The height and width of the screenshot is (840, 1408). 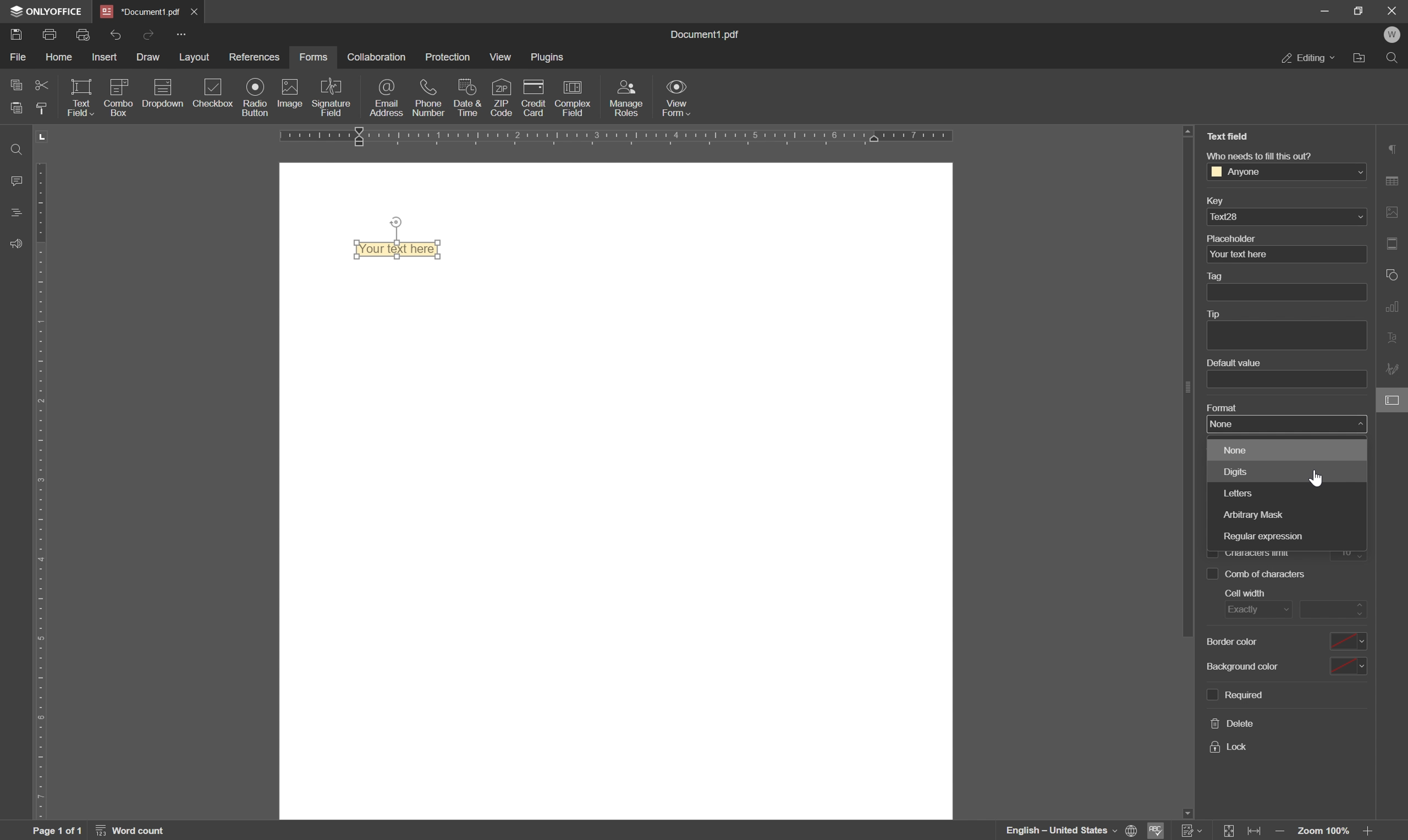 What do you see at coordinates (1392, 399) in the screenshot?
I see `form settings` at bounding box center [1392, 399].